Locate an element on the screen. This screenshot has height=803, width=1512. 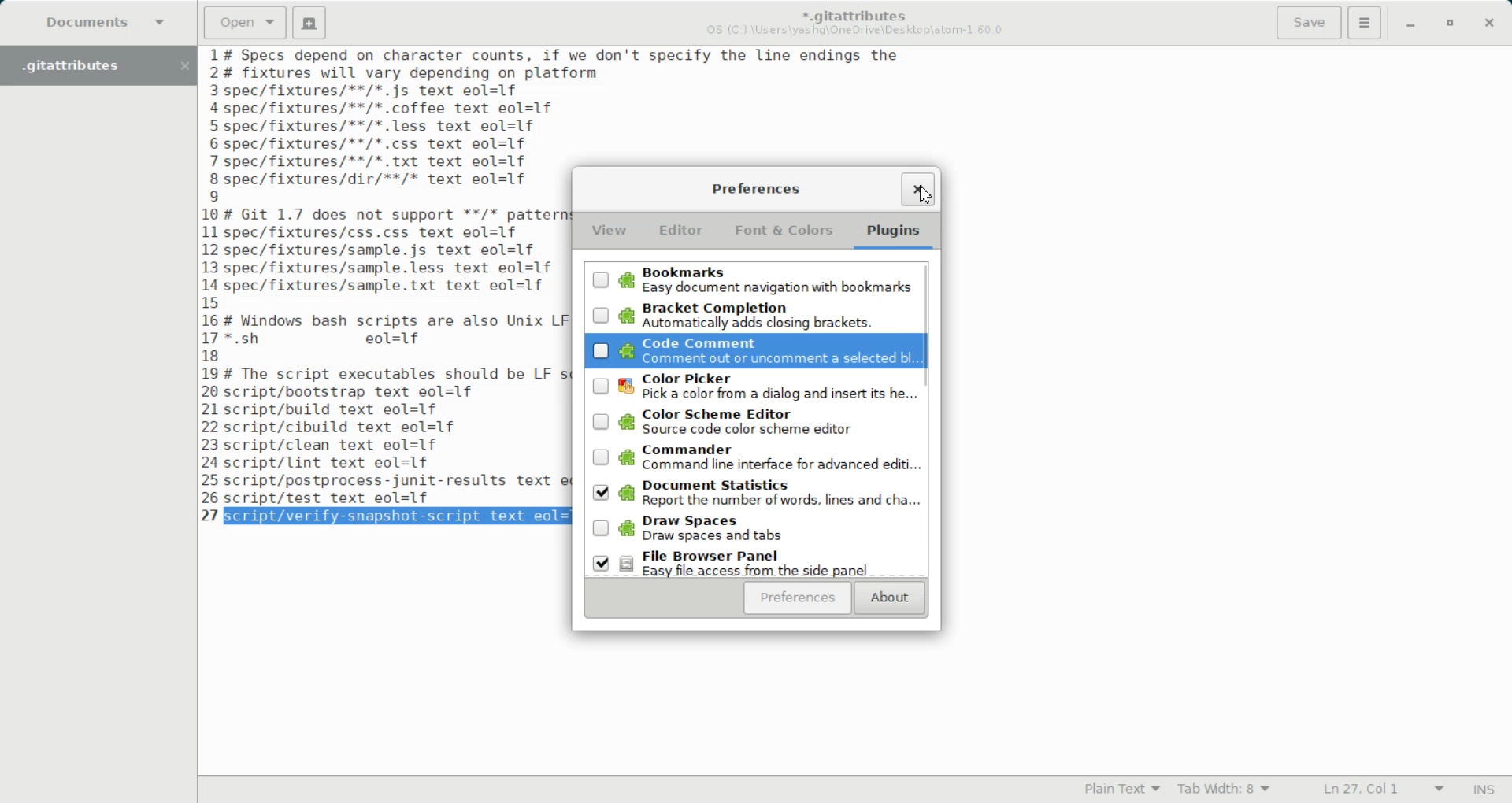
Editor is located at coordinates (680, 231).